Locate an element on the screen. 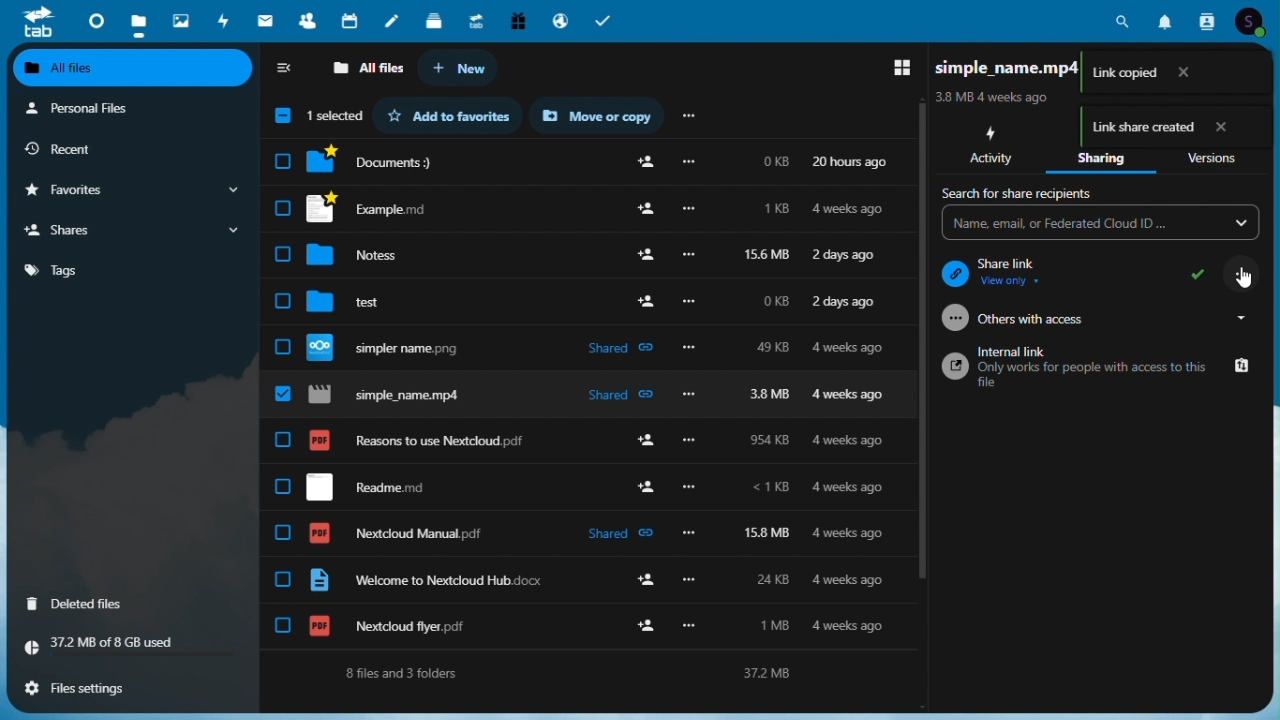 The image size is (1280, 720). files is located at coordinates (585, 534).